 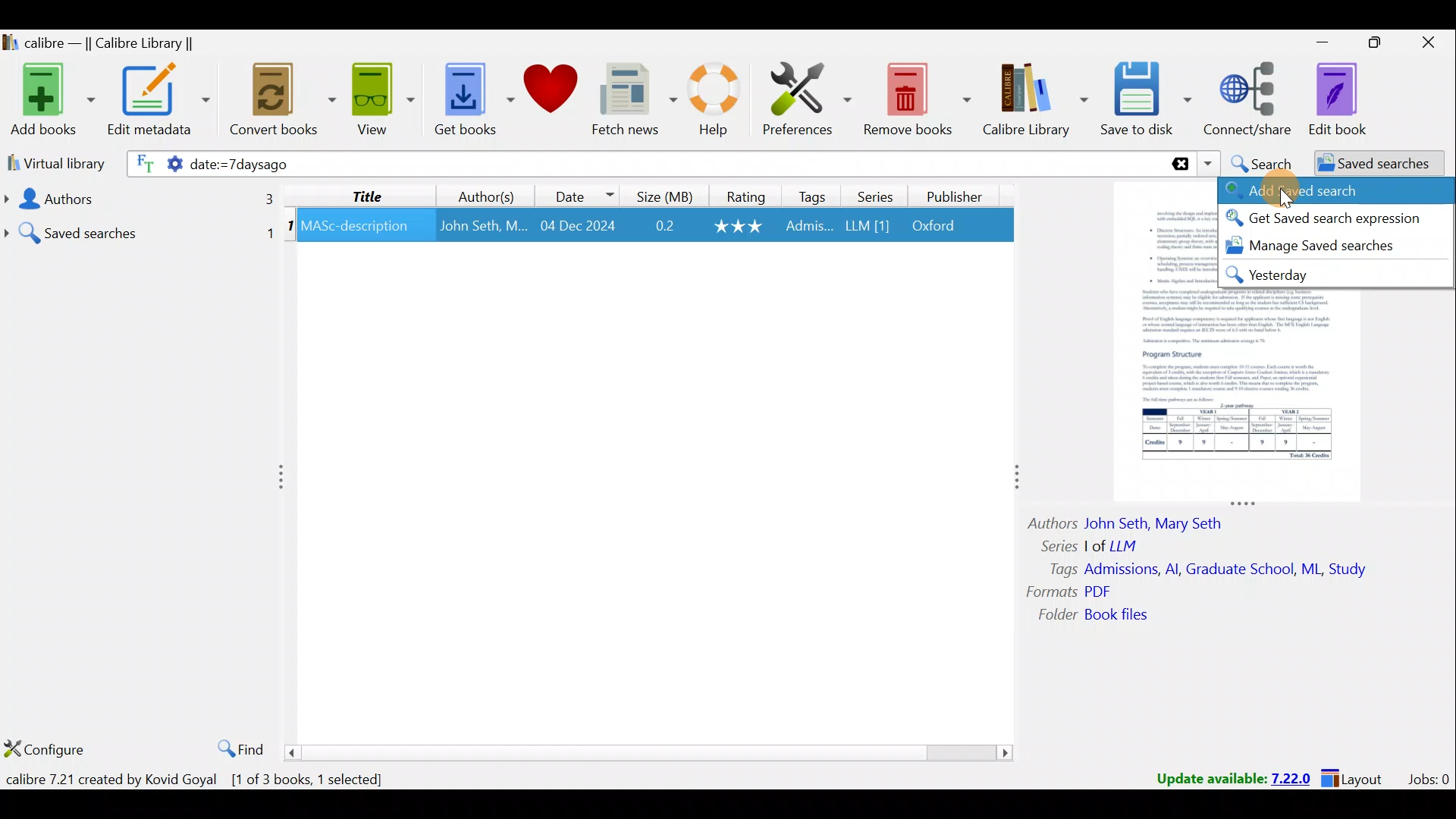 I want to click on Formats PDF, so click(x=1069, y=591).